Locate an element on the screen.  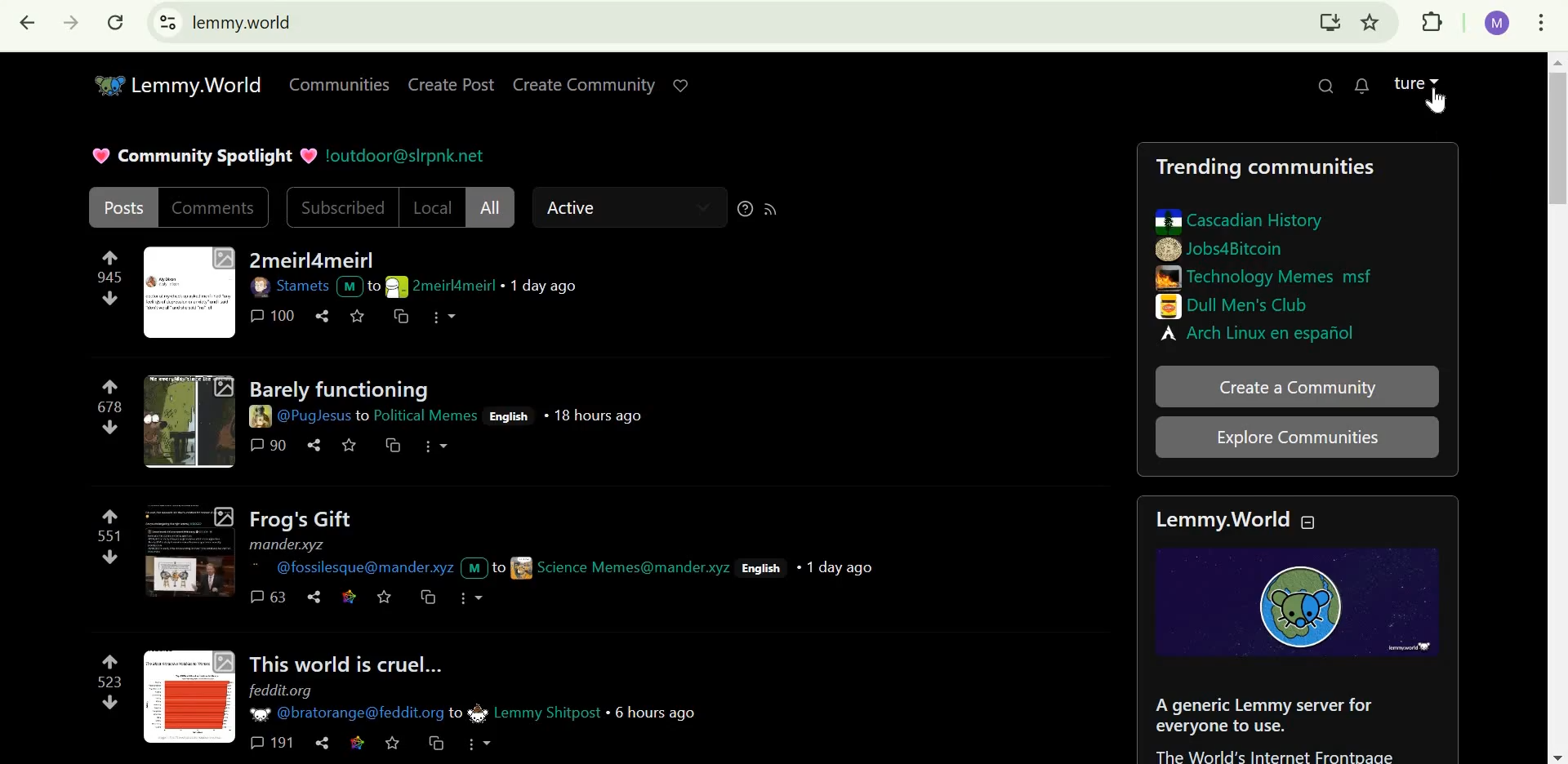
Communities is located at coordinates (335, 83).